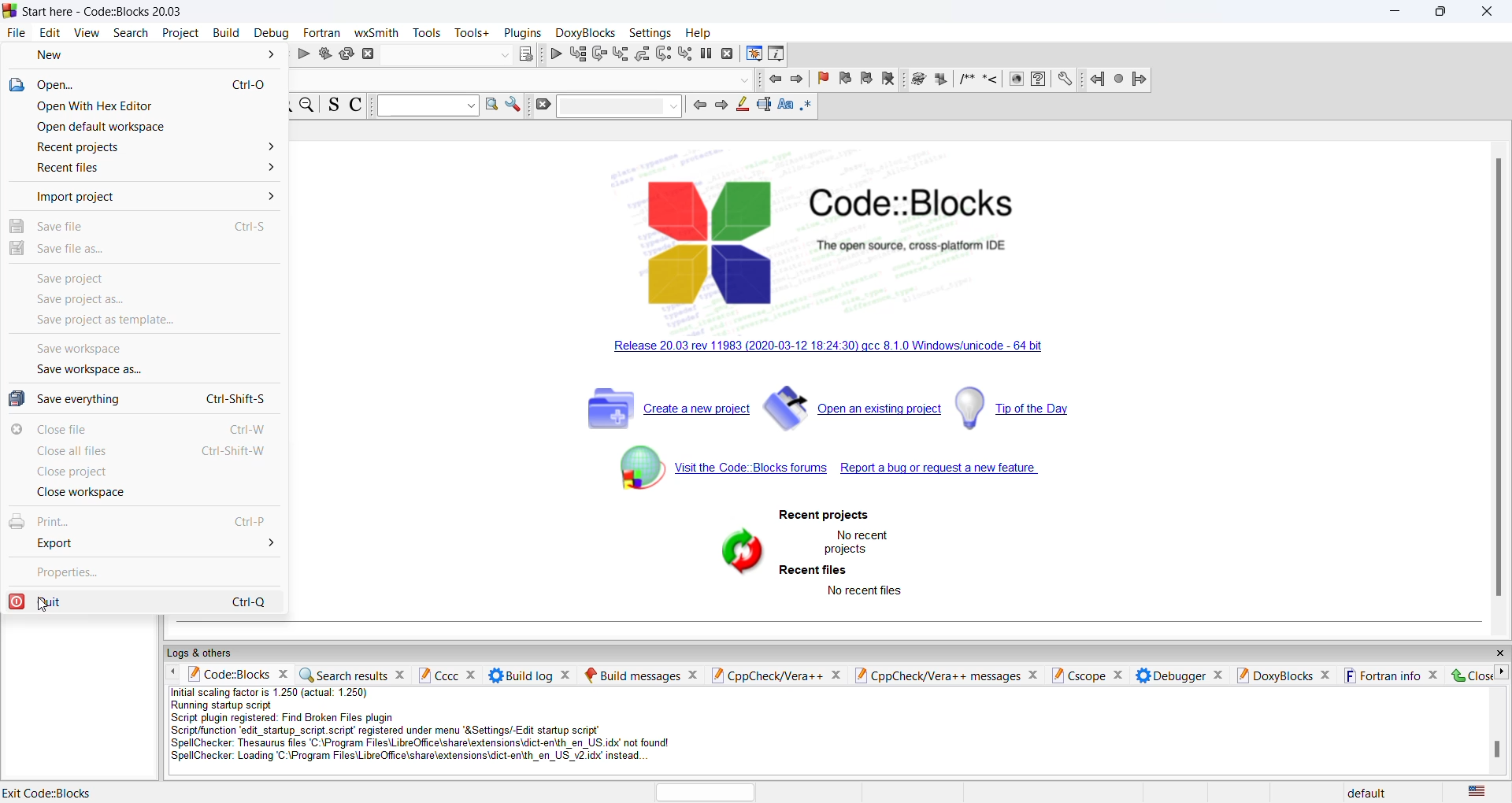 The image size is (1512, 803). What do you see at coordinates (235, 399) in the screenshot?
I see `Ctrl-Shift-S` at bounding box center [235, 399].